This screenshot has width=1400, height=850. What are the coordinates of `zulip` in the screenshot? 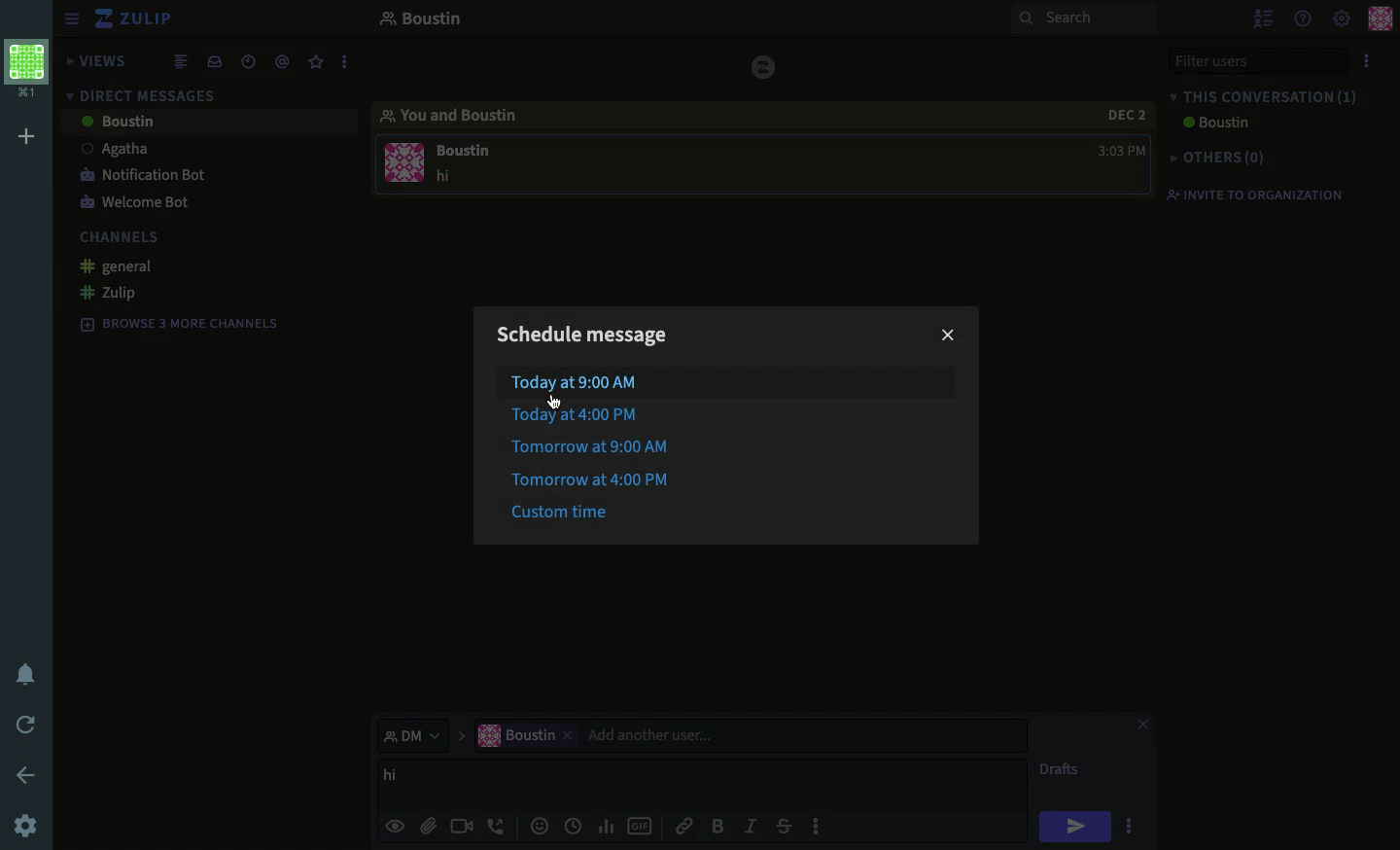 It's located at (767, 71).